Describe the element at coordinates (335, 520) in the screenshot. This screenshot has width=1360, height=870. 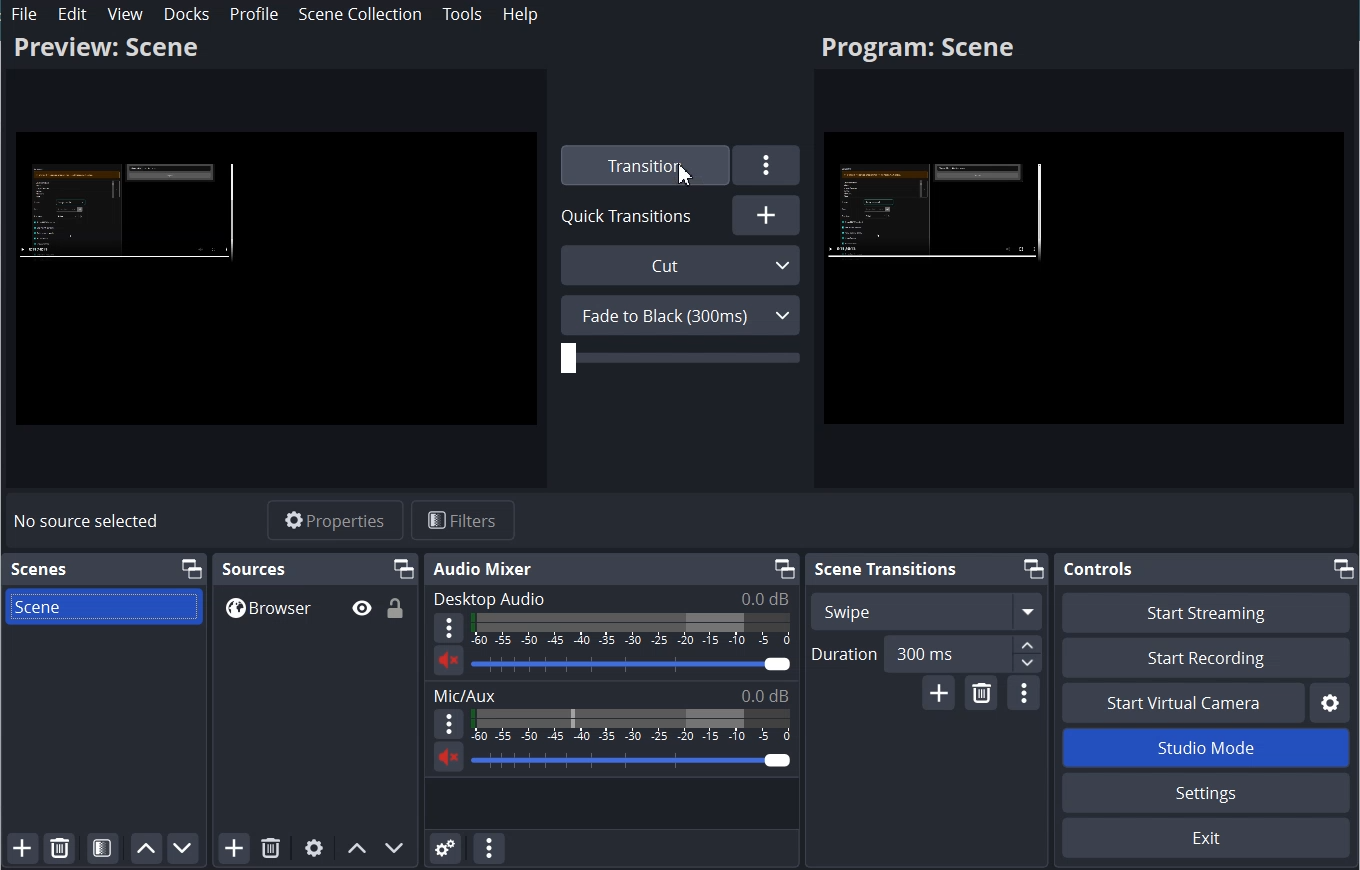
I see `Properties` at that location.